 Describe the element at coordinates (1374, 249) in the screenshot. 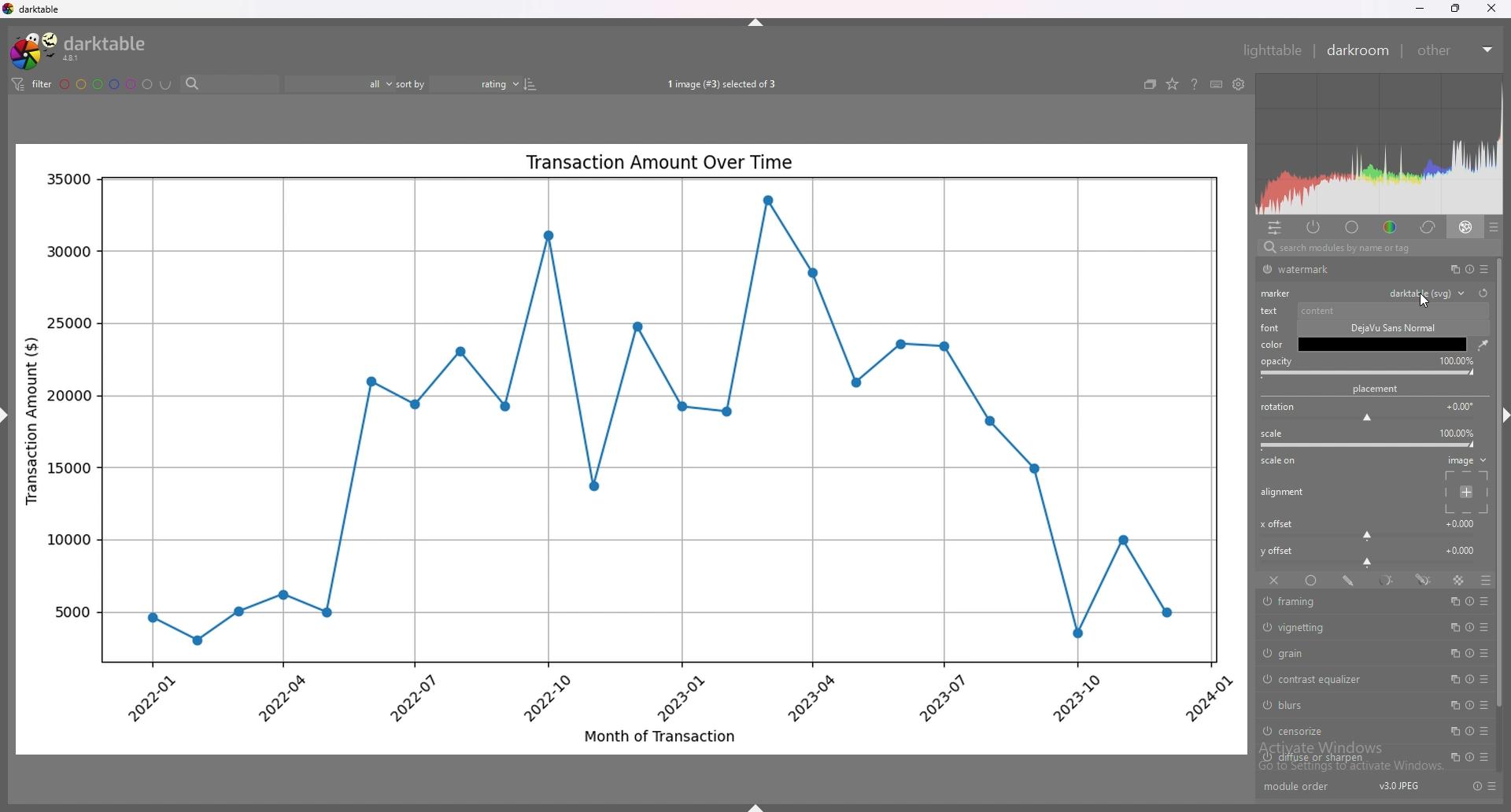

I see `search bar` at that location.